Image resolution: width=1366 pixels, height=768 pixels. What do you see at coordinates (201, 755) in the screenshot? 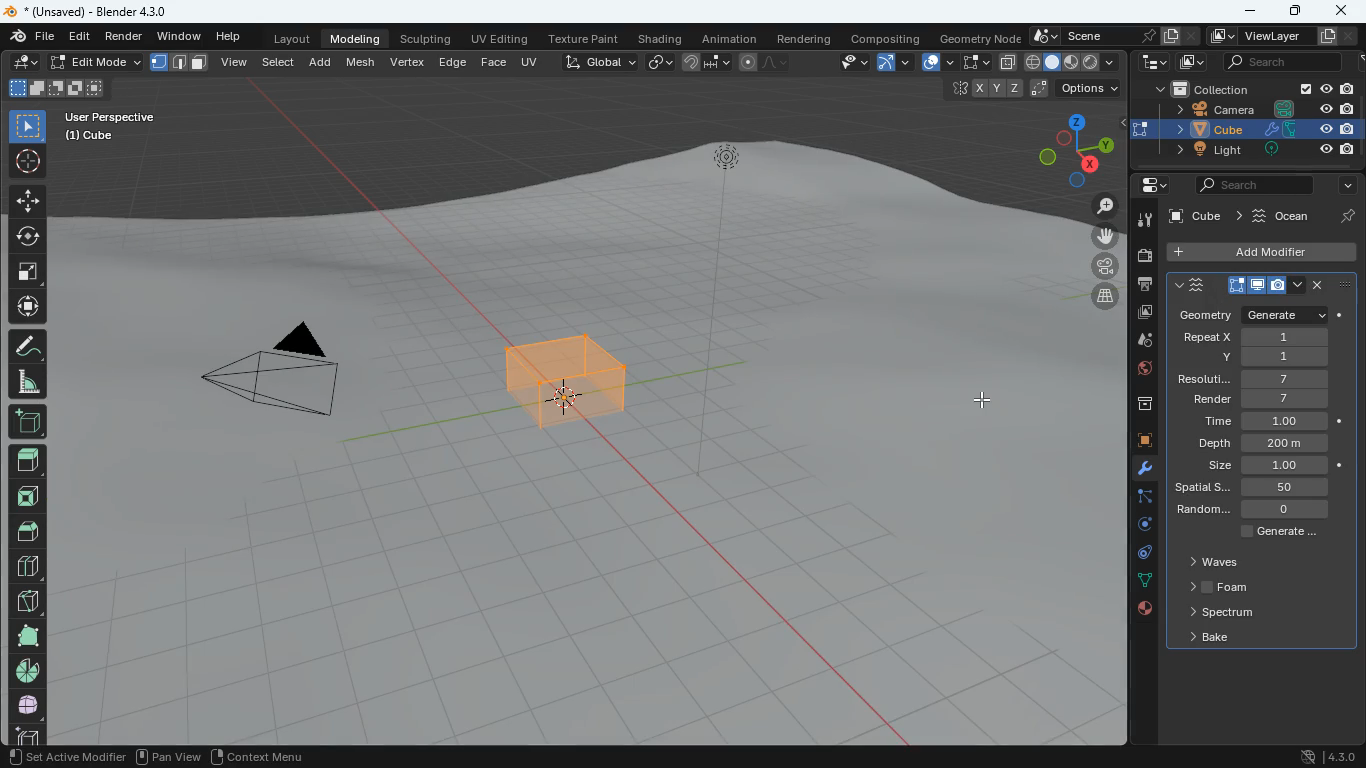
I see `d Region` at bounding box center [201, 755].